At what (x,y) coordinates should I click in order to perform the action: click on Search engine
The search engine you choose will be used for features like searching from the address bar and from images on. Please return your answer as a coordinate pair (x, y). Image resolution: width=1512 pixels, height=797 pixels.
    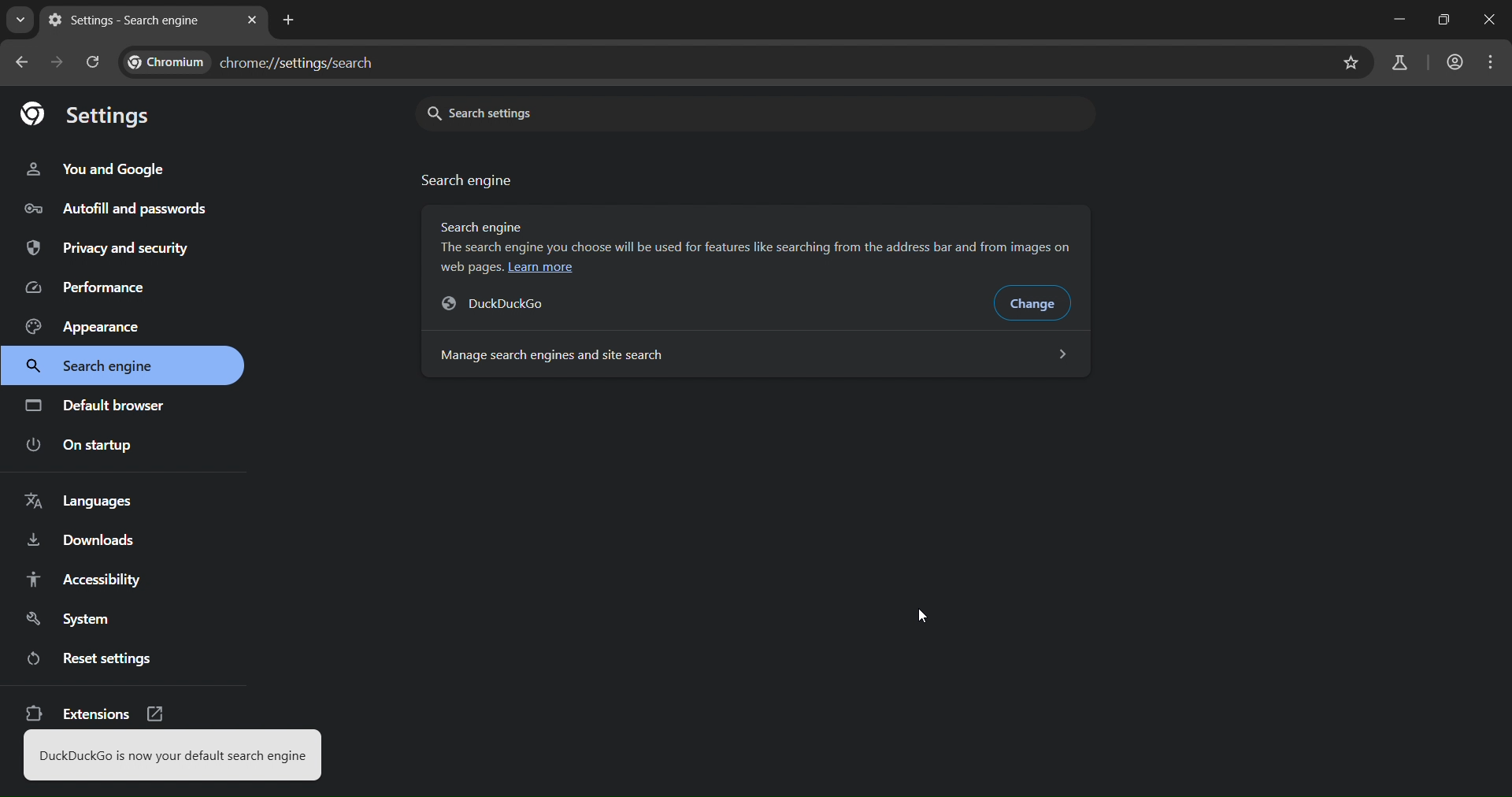
    Looking at the image, I should click on (762, 236).